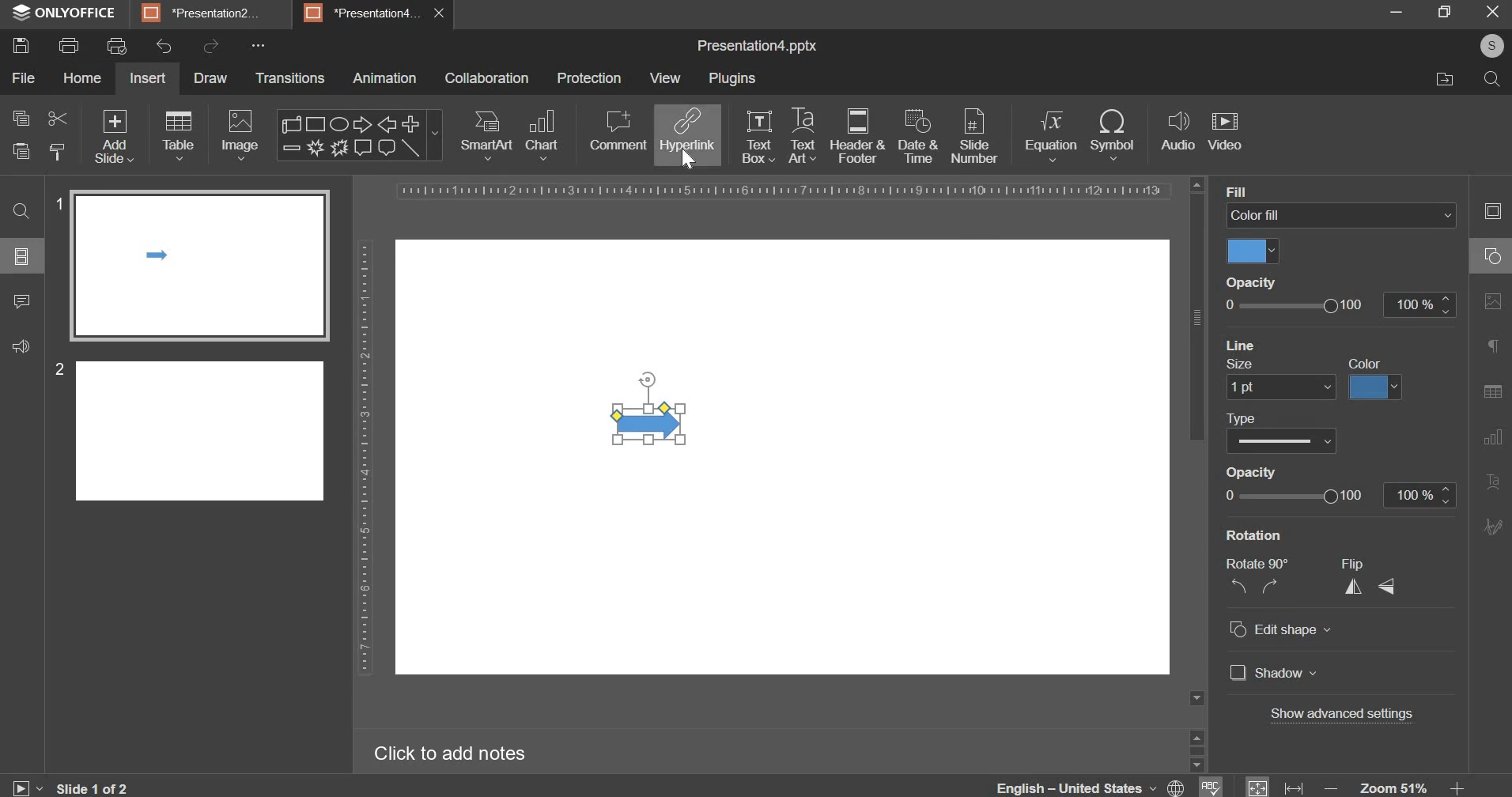 The height and width of the screenshot is (797, 1512). Describe the element at coordinates (757, 47) in the screenshot. I see `presentation name` at that location.